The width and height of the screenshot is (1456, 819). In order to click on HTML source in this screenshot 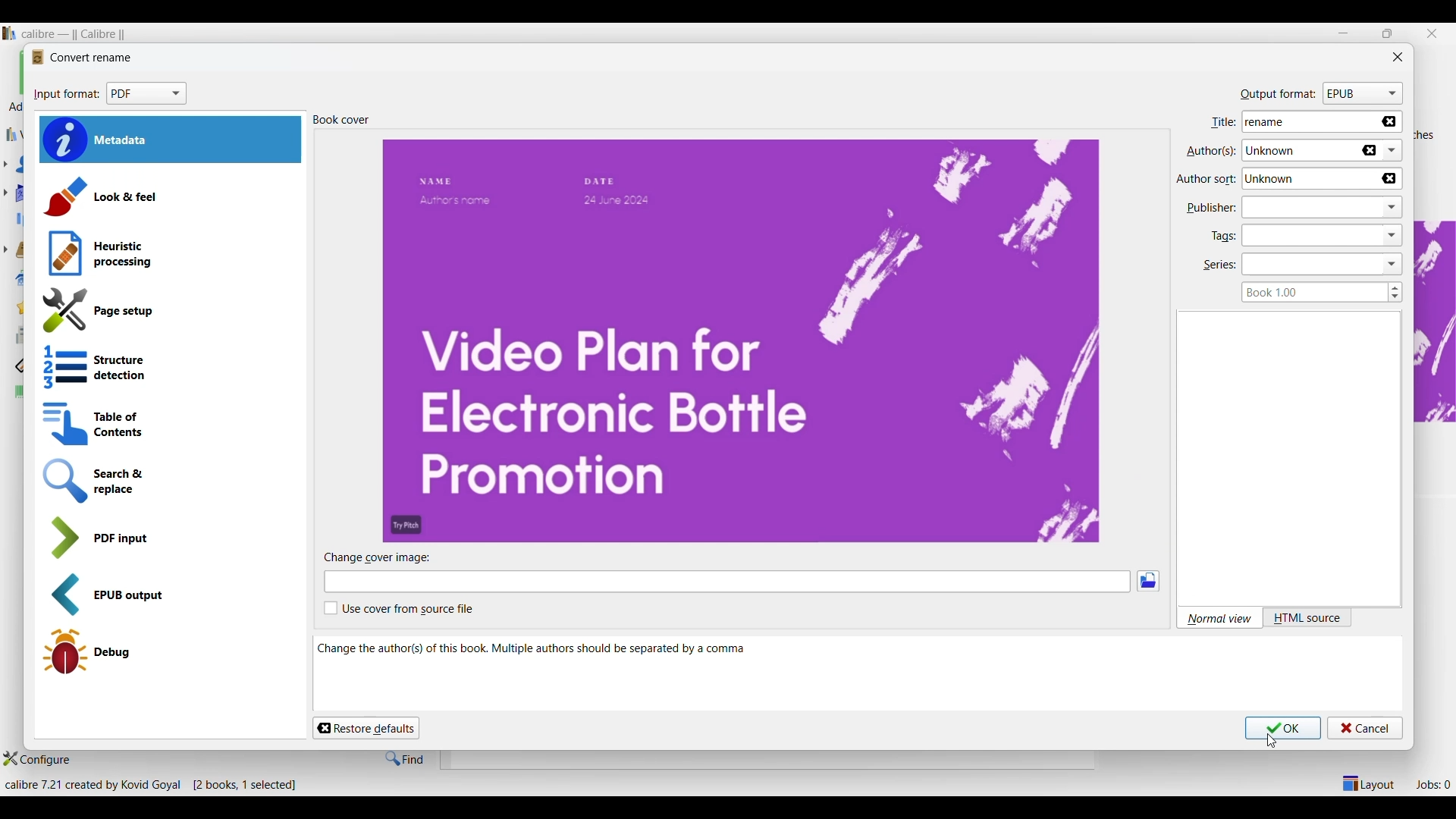, I will do `click(1308, 618)`.